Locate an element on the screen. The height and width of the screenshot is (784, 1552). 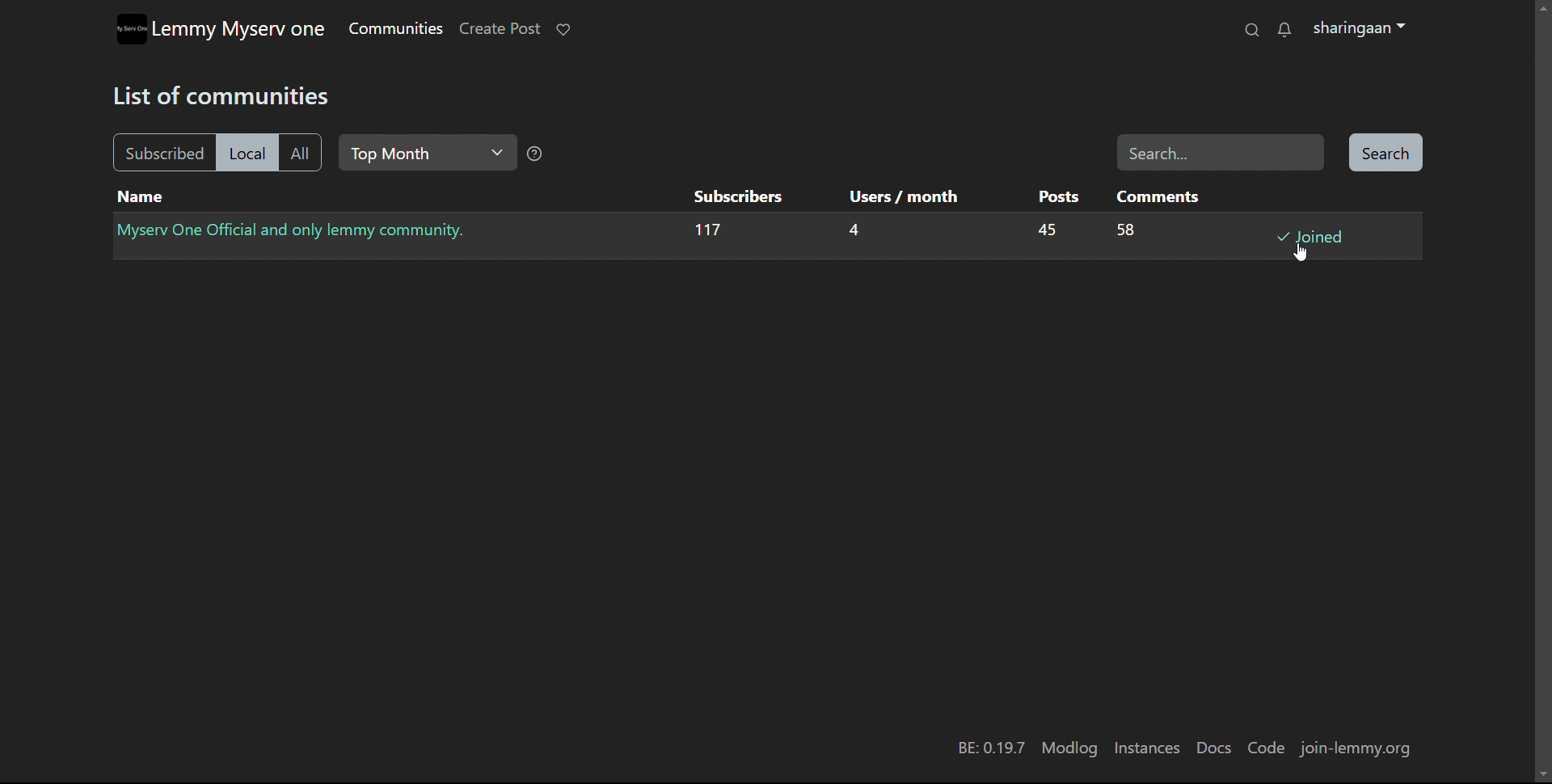
donate to lemmy is located at coordinates (563, 29).